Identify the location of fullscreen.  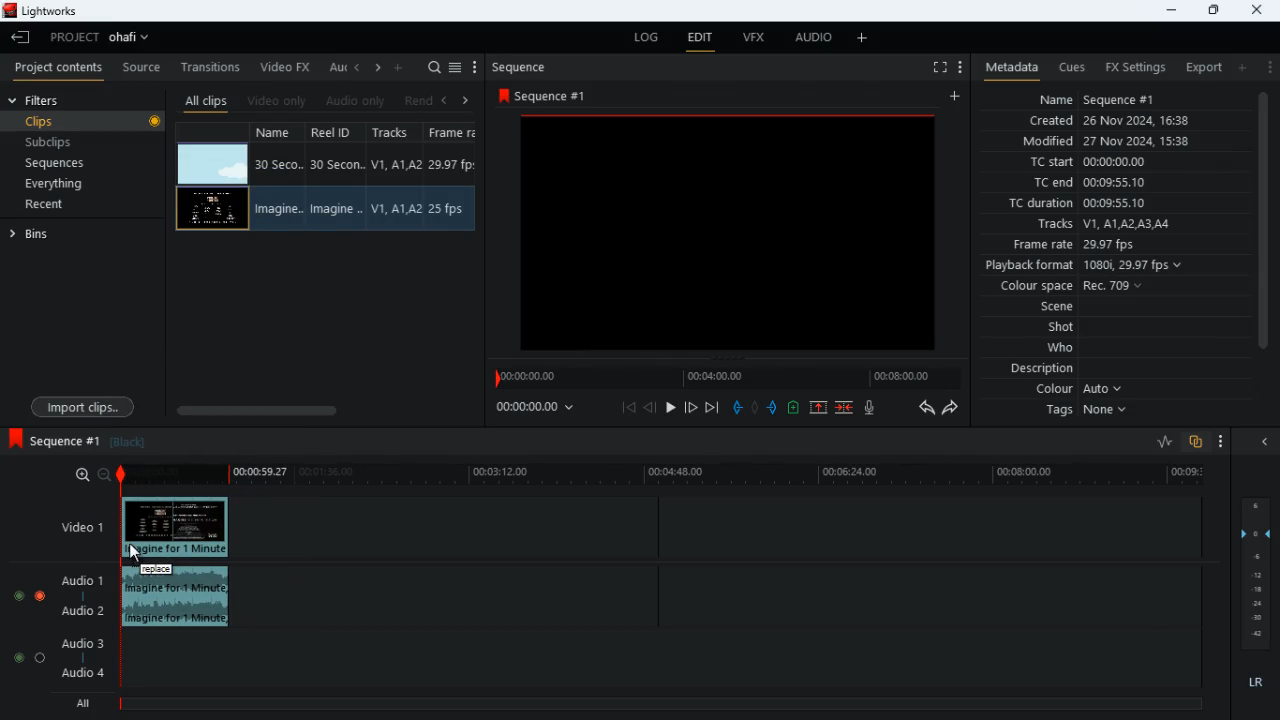
(937, 65).